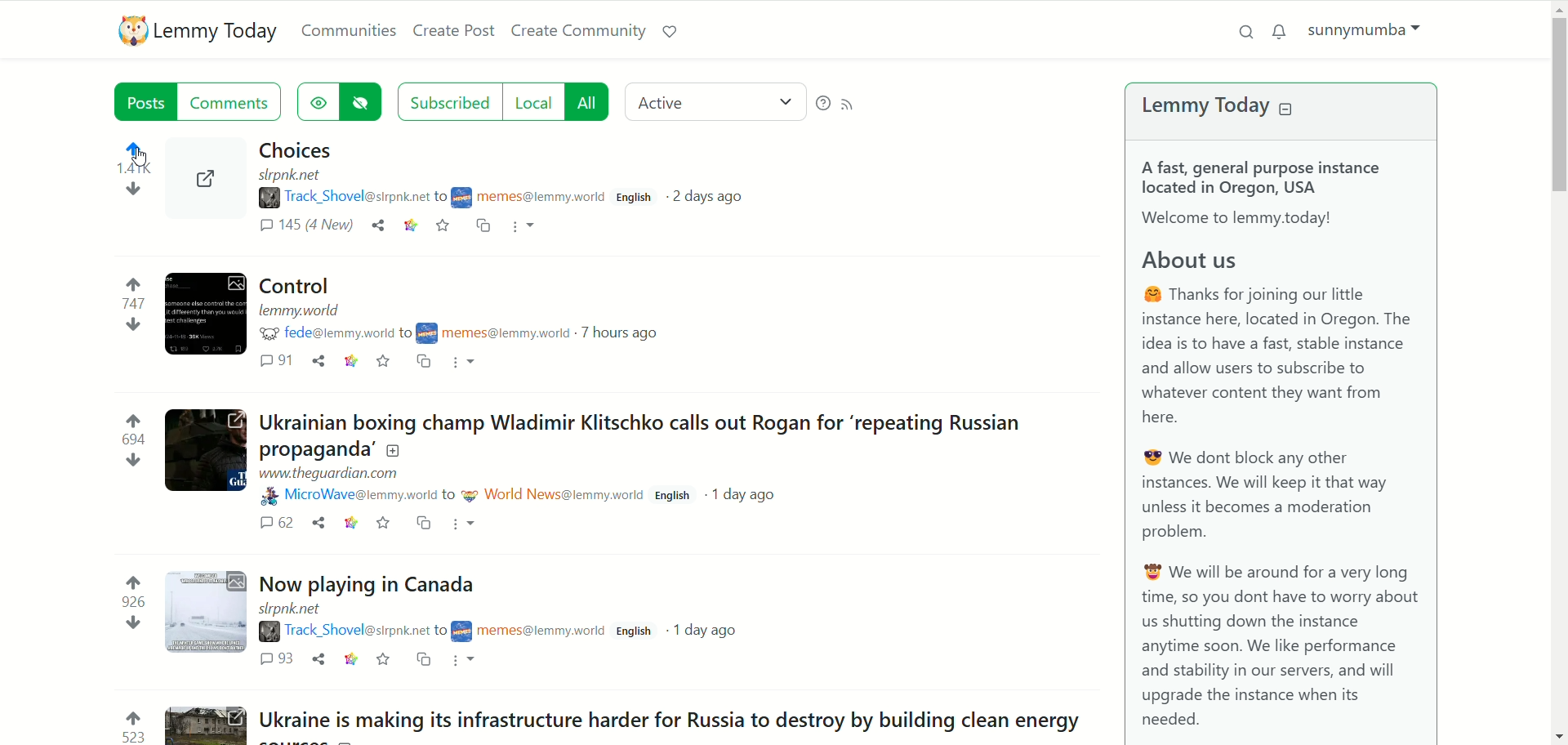 This screenshot has height=745, width=1568. I want to click on Copy, so click(423, 662).